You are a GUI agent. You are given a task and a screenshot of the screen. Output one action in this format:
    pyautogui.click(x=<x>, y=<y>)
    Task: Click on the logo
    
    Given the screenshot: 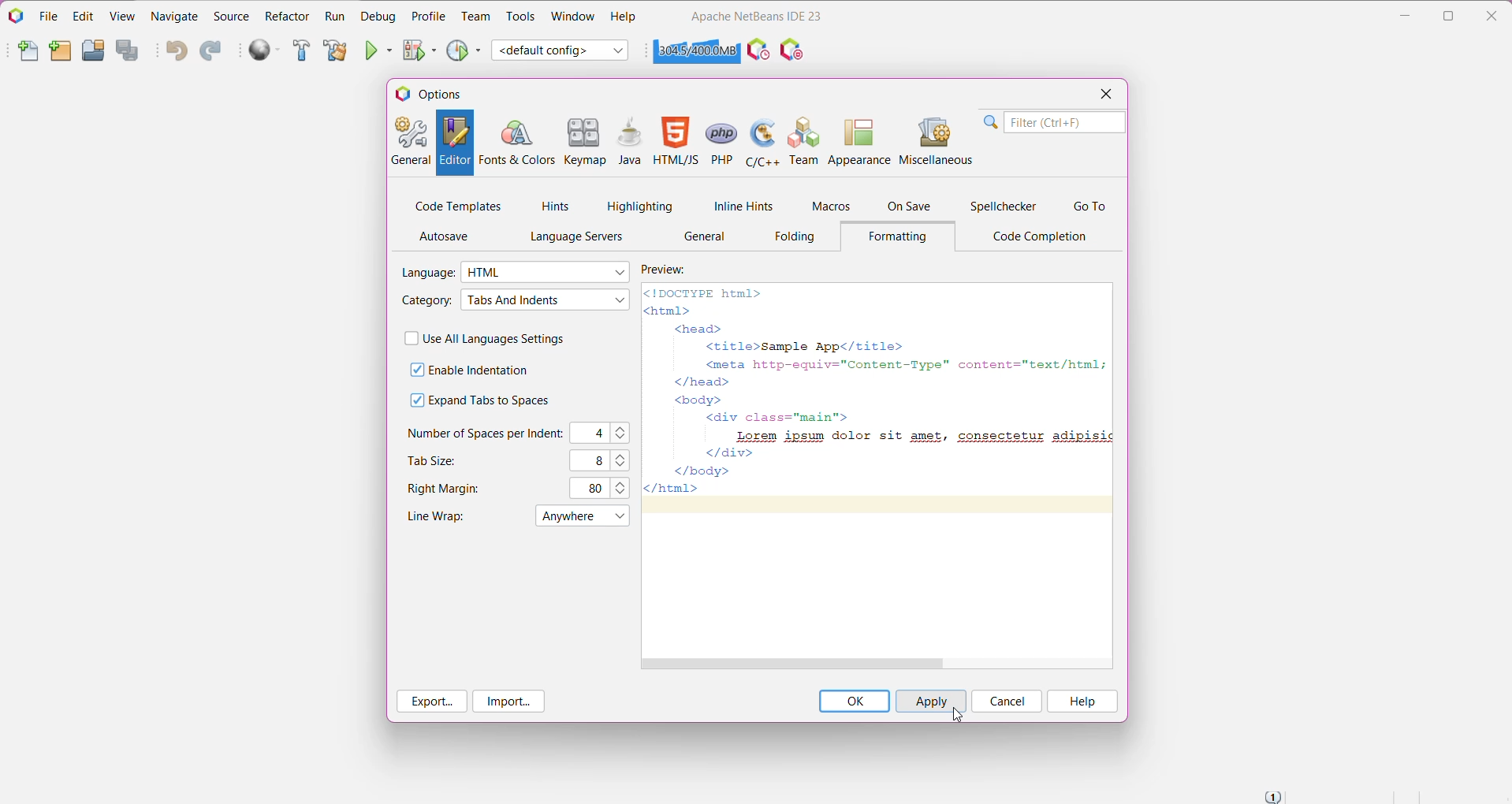 What is the action you would take?
    pyautogui.click(x=403, y=93)
    